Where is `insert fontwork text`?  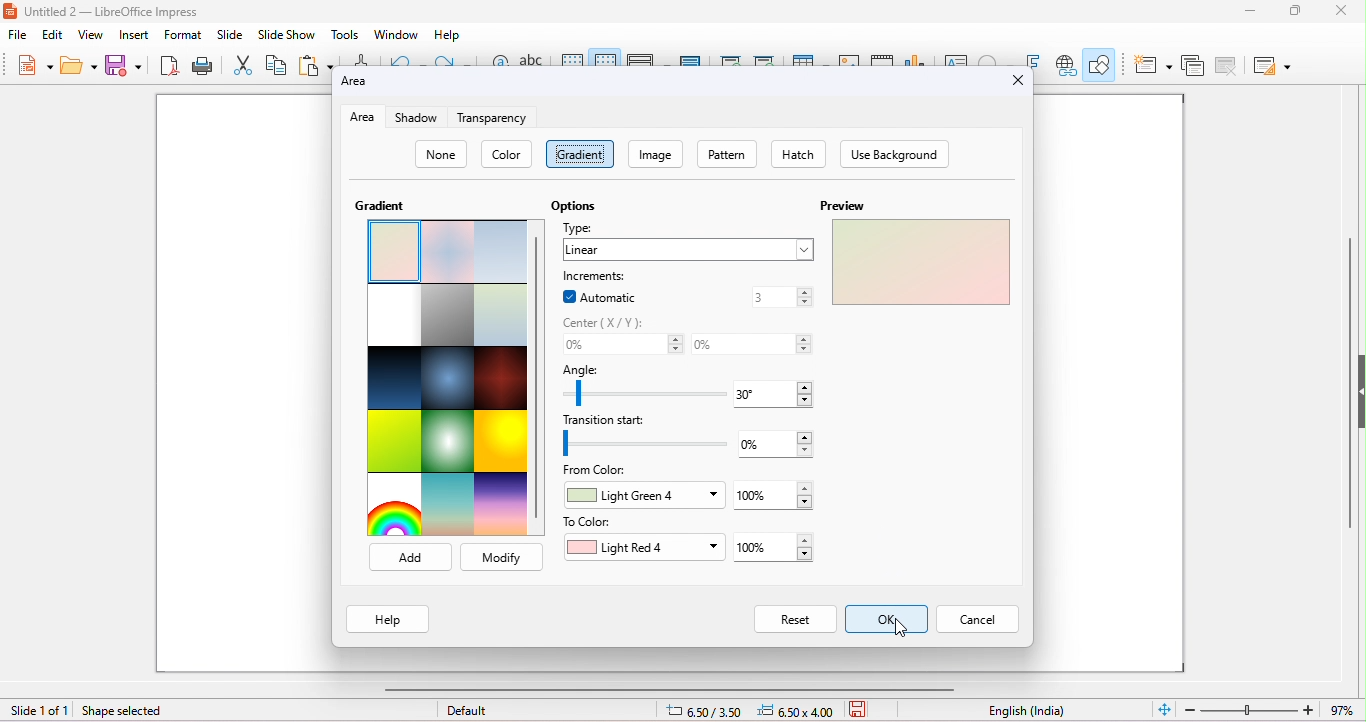 insert fontwork text is located at coordinates (1032, 58).